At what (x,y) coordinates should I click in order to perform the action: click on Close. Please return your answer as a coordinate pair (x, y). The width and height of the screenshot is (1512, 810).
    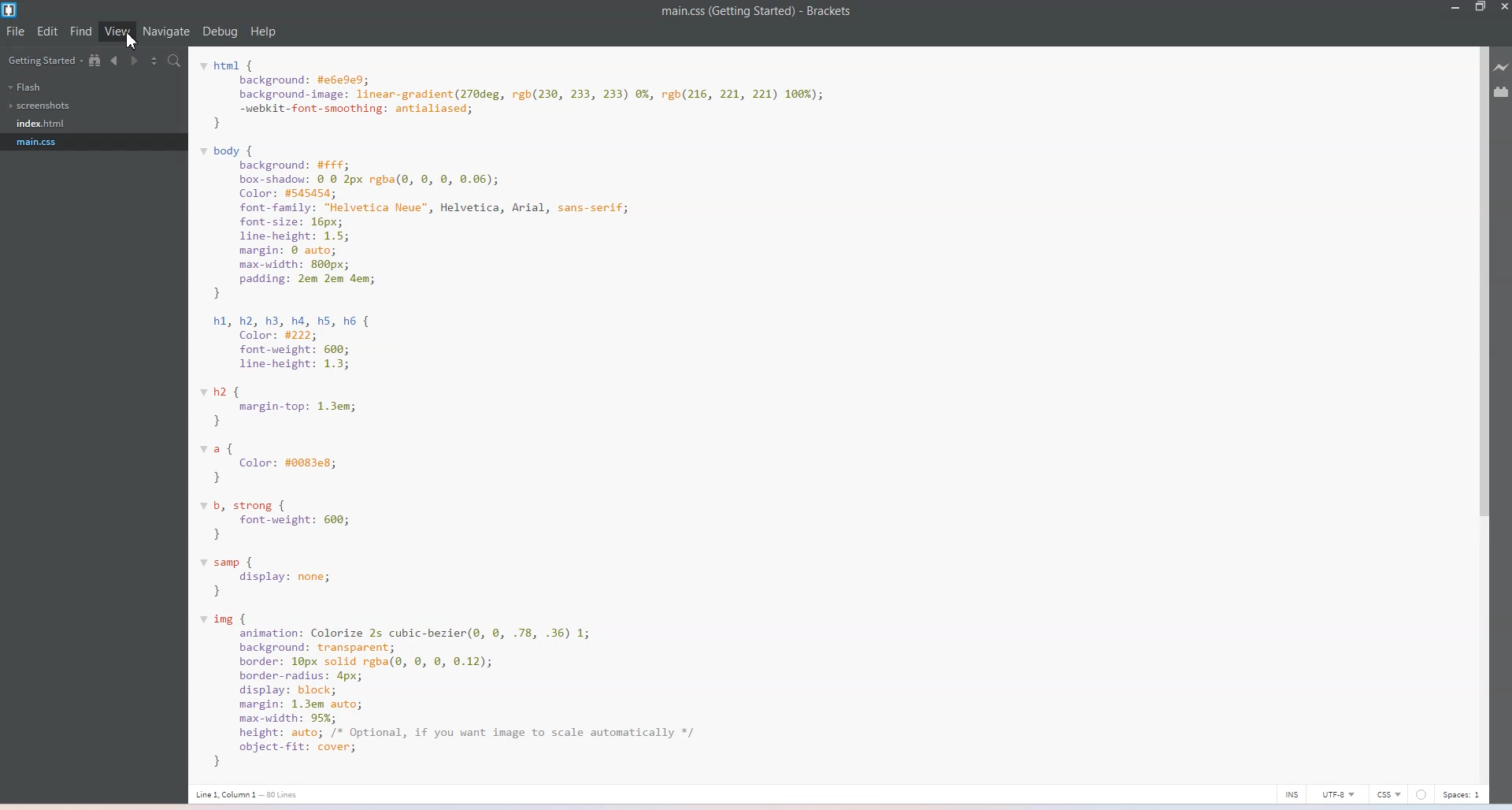
    Looking at the image, I should click on (1503, 7).